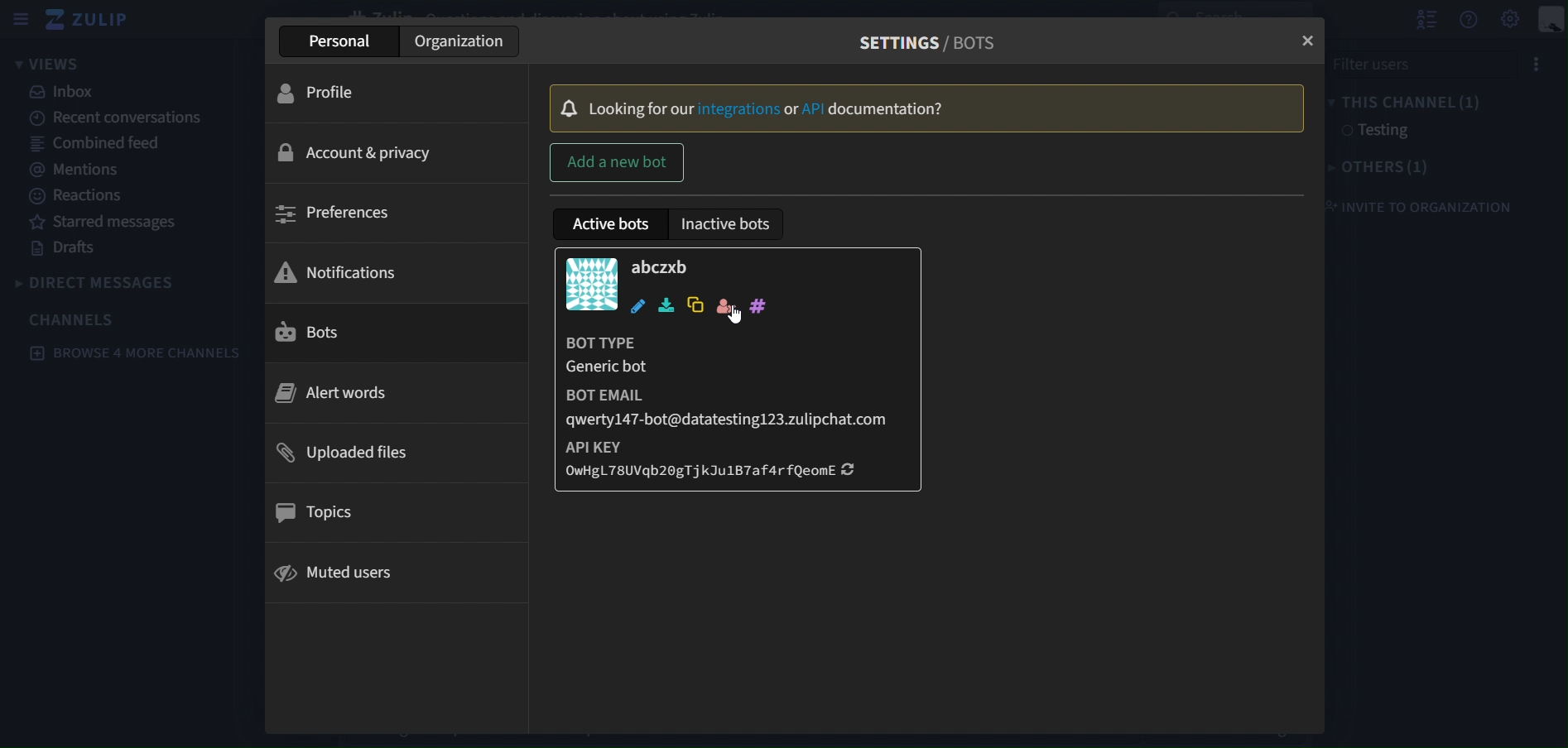 The width and height of the screenshot is (1568, 748). What do you see at coordinates (1468, 23) in the screenshot?
I see `get help` at bounding box center [1468, 23].